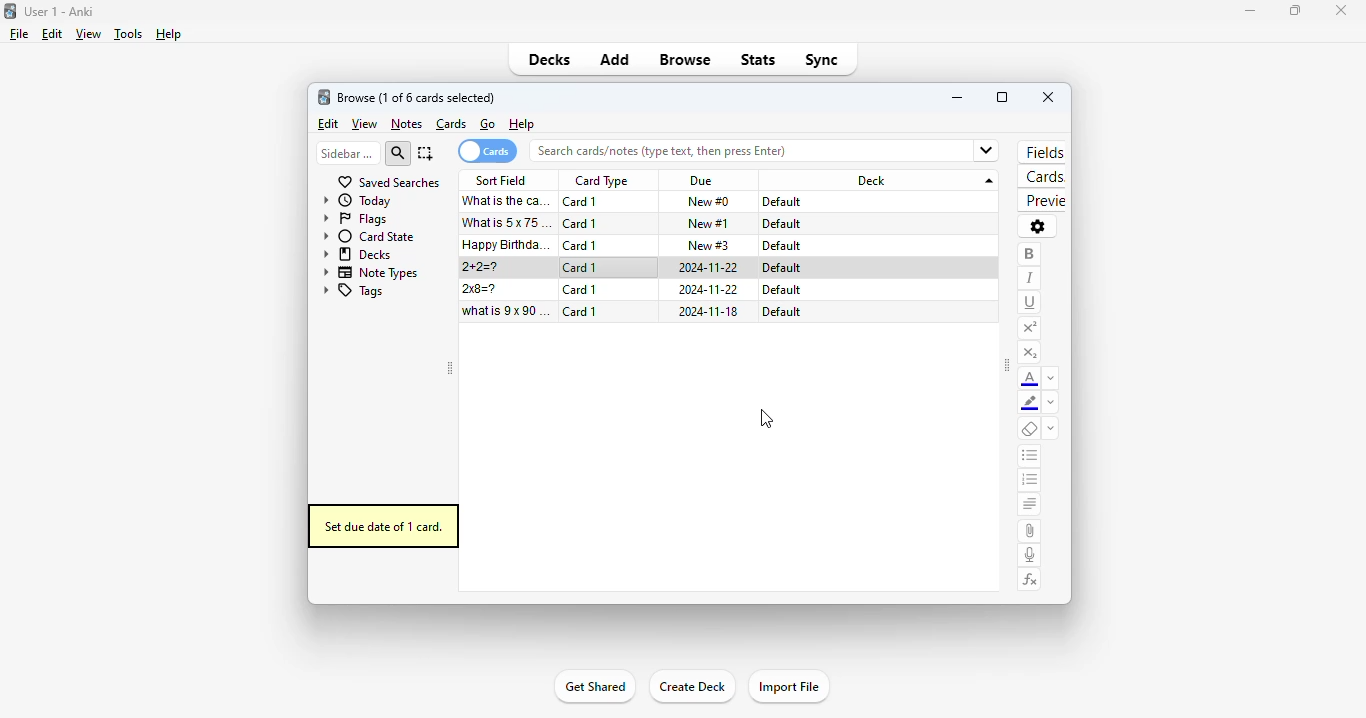 The height and width of the screenshot is (718, 1366). I want to click on 2024-11-22, so click(710, 268).